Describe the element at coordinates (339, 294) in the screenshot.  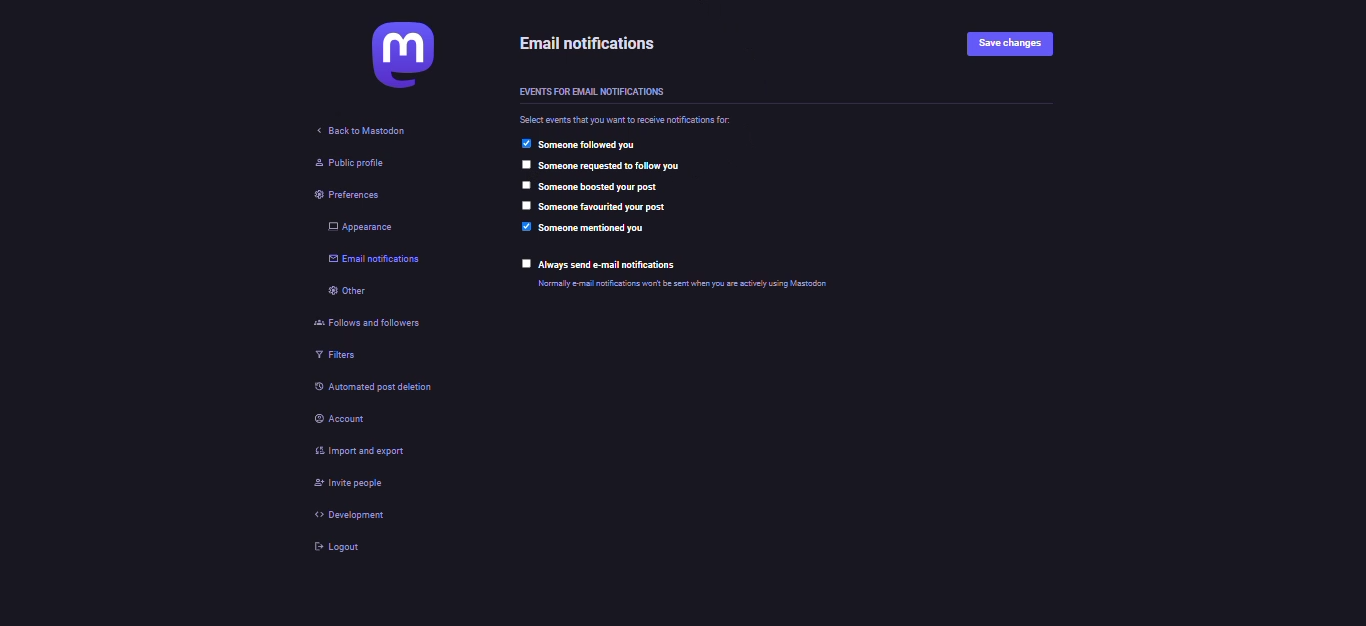
I see `other` at that location.